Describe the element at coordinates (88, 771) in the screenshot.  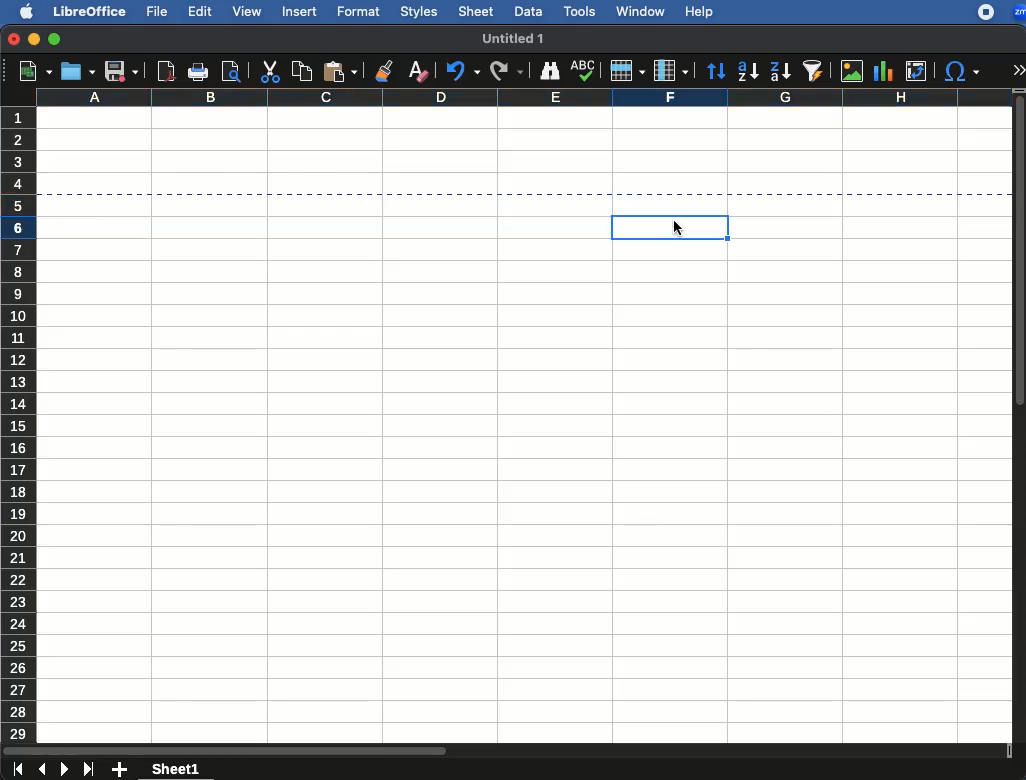
I see `last sheet` at that location.